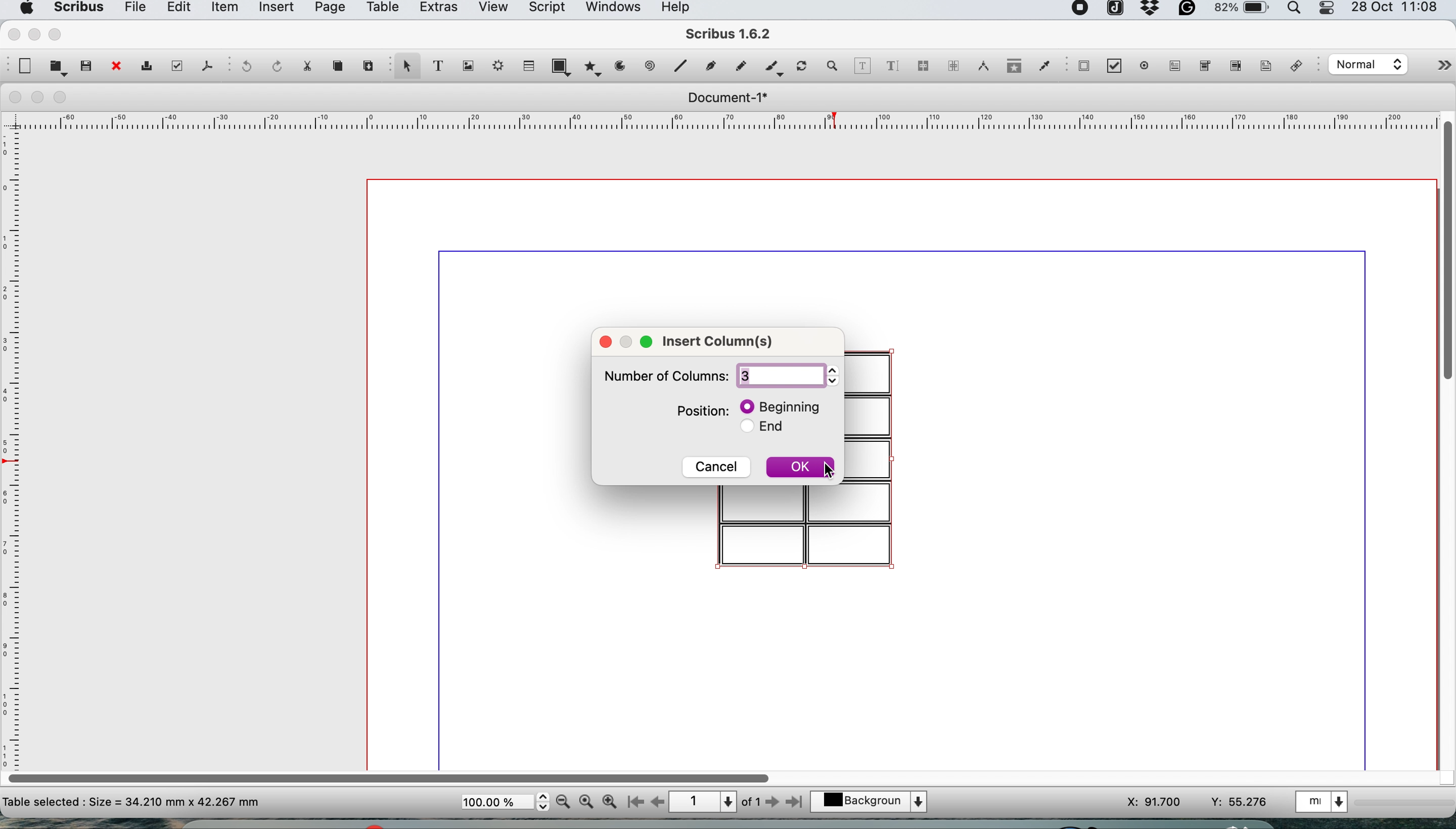  I want to click on horizontal scroll bar, so click(392, 774).